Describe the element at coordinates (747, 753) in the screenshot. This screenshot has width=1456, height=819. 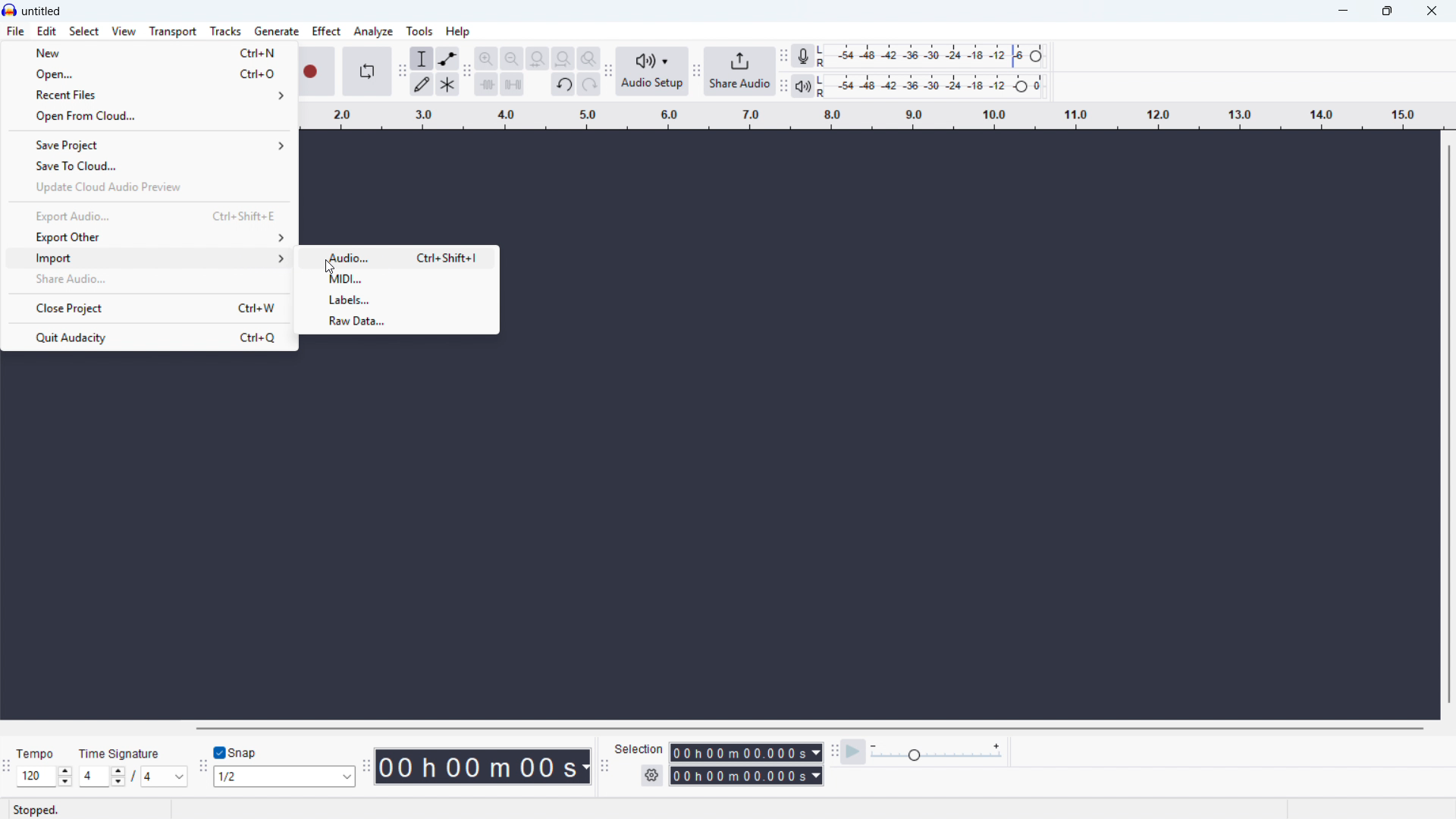
I see `Selection start time ` at that location.